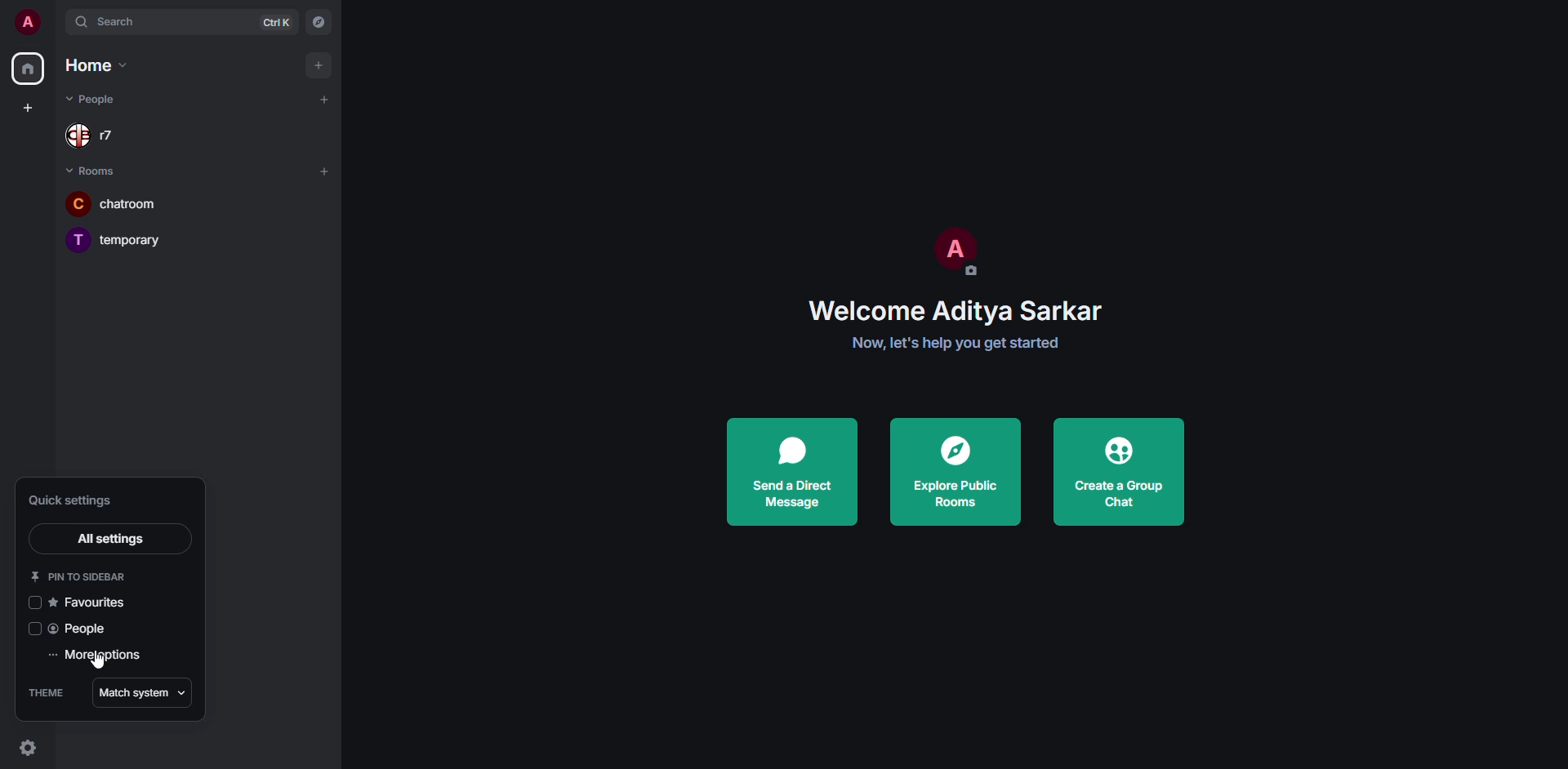 Image resolution: width=1568 pixels, height=769 pixels. What do you see at coordinates (131, 202) in the screenshot?
I see `chatroom` at bounding box center [131, 202].